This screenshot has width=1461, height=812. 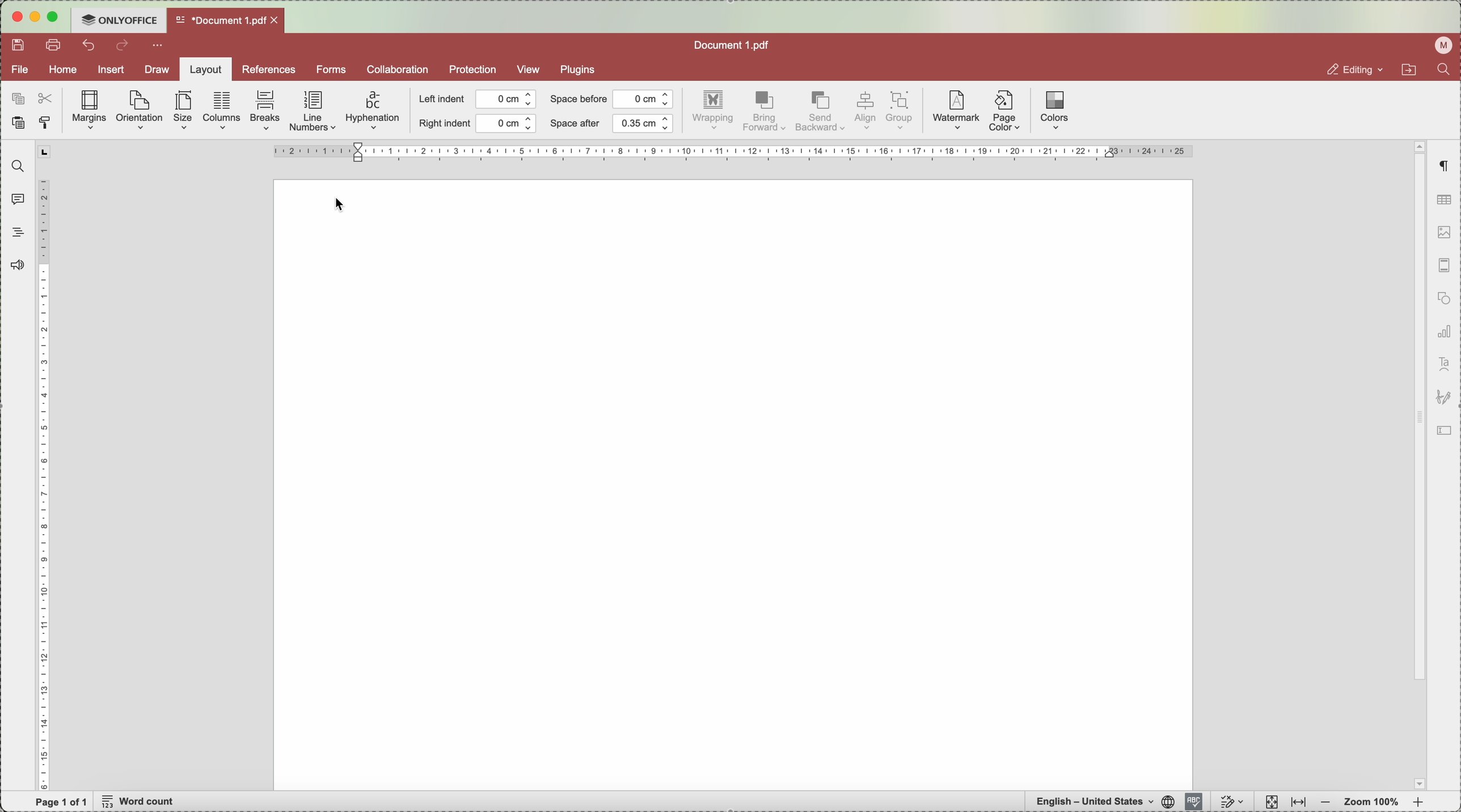 What do you see at coordinates (48, 123) in the screenshot?
I see `copy style` at bounding box center [48, 123].